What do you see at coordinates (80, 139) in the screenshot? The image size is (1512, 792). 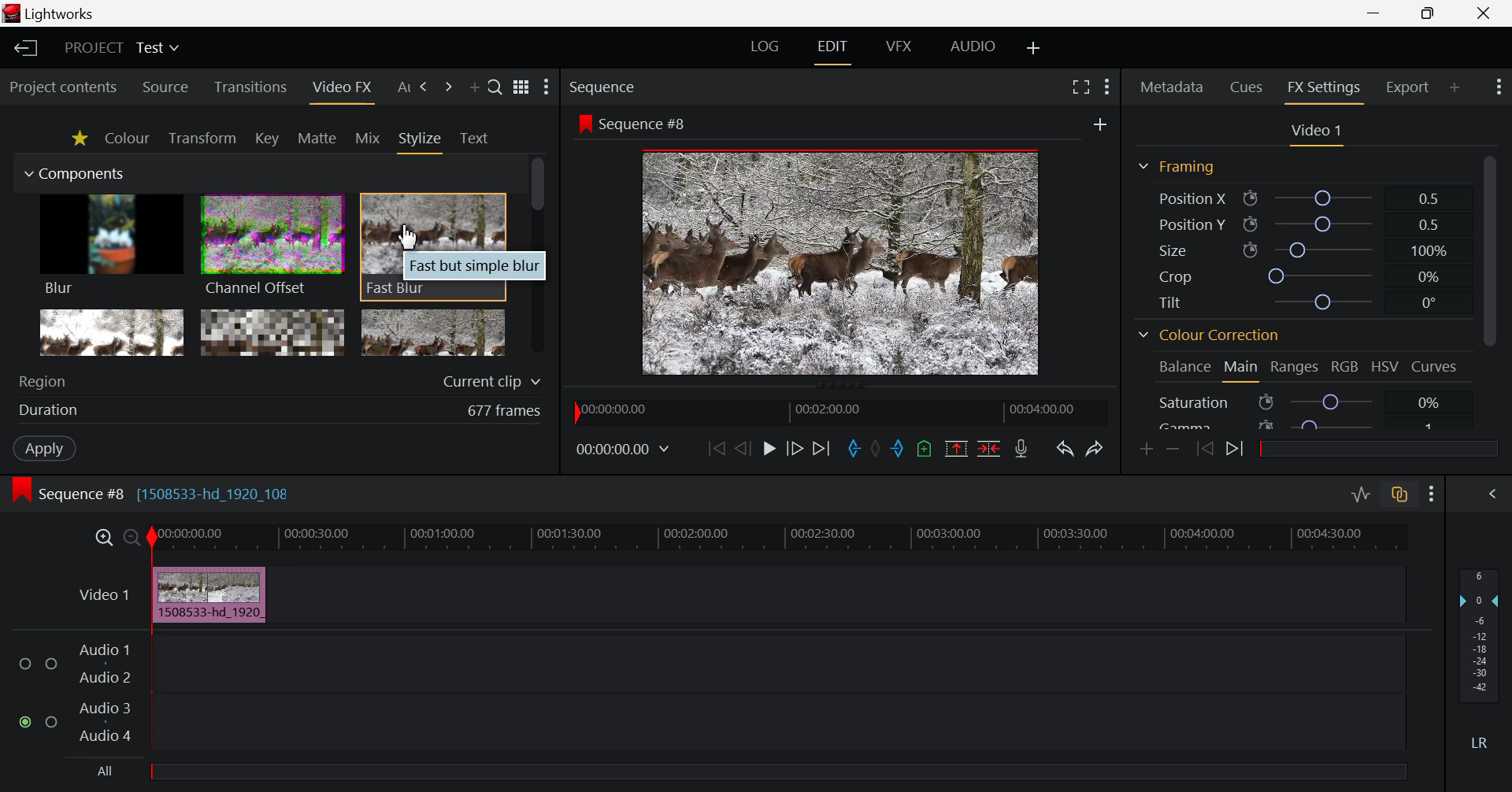 I see `Favorites` at bounding box center [80, 139].